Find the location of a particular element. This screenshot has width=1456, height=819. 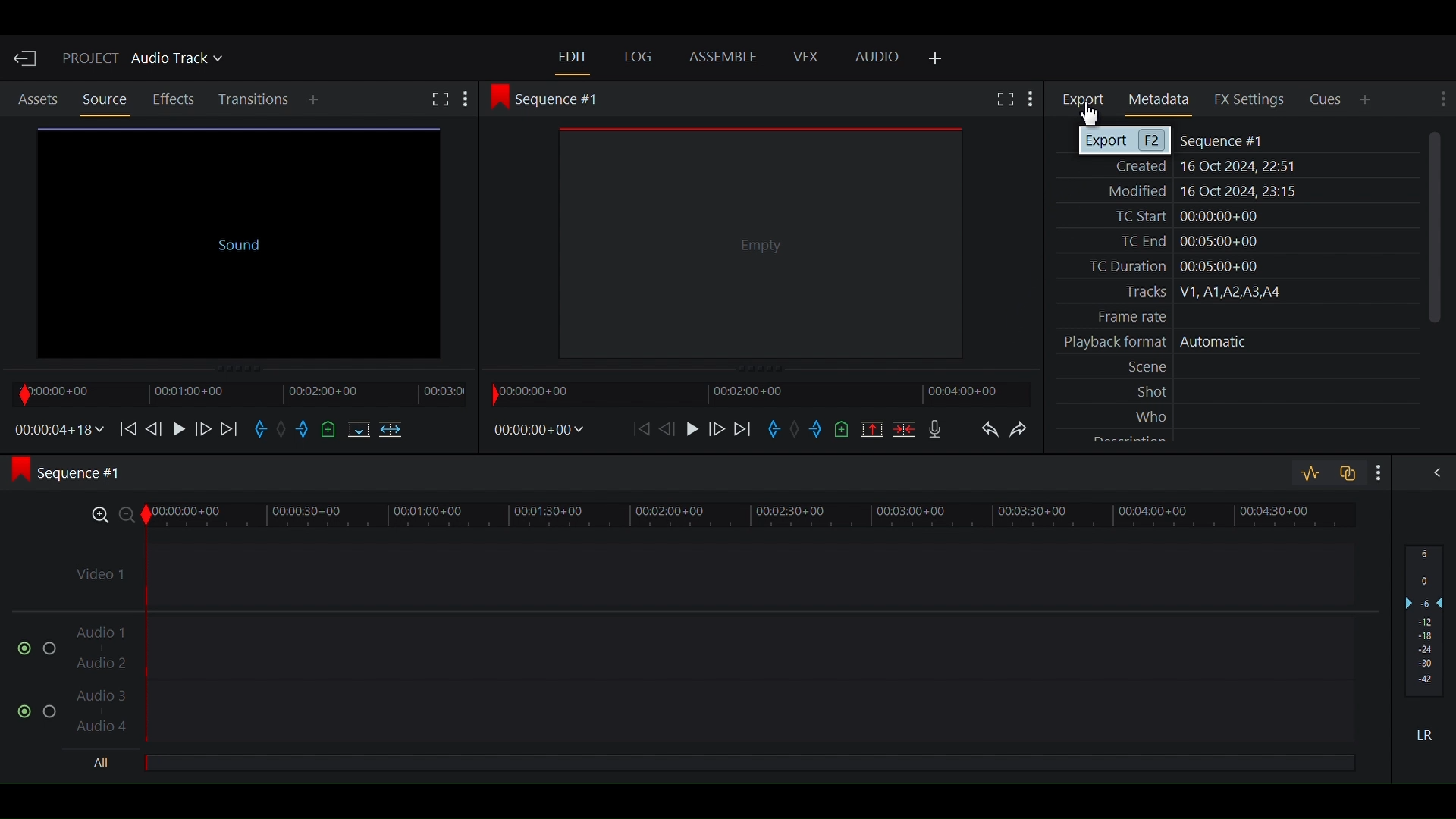

Clear marks is located at coordinates (285, 431).